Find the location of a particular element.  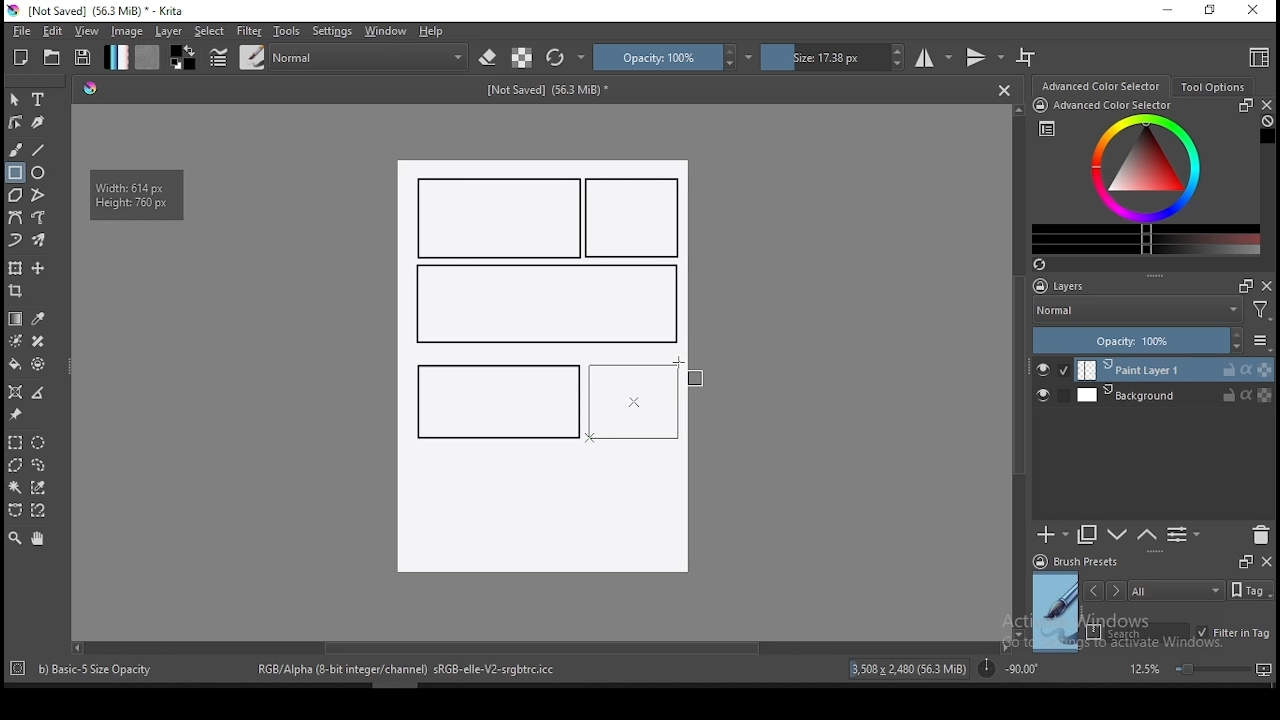

duplicate layer is located at coordinates (1088, 534).